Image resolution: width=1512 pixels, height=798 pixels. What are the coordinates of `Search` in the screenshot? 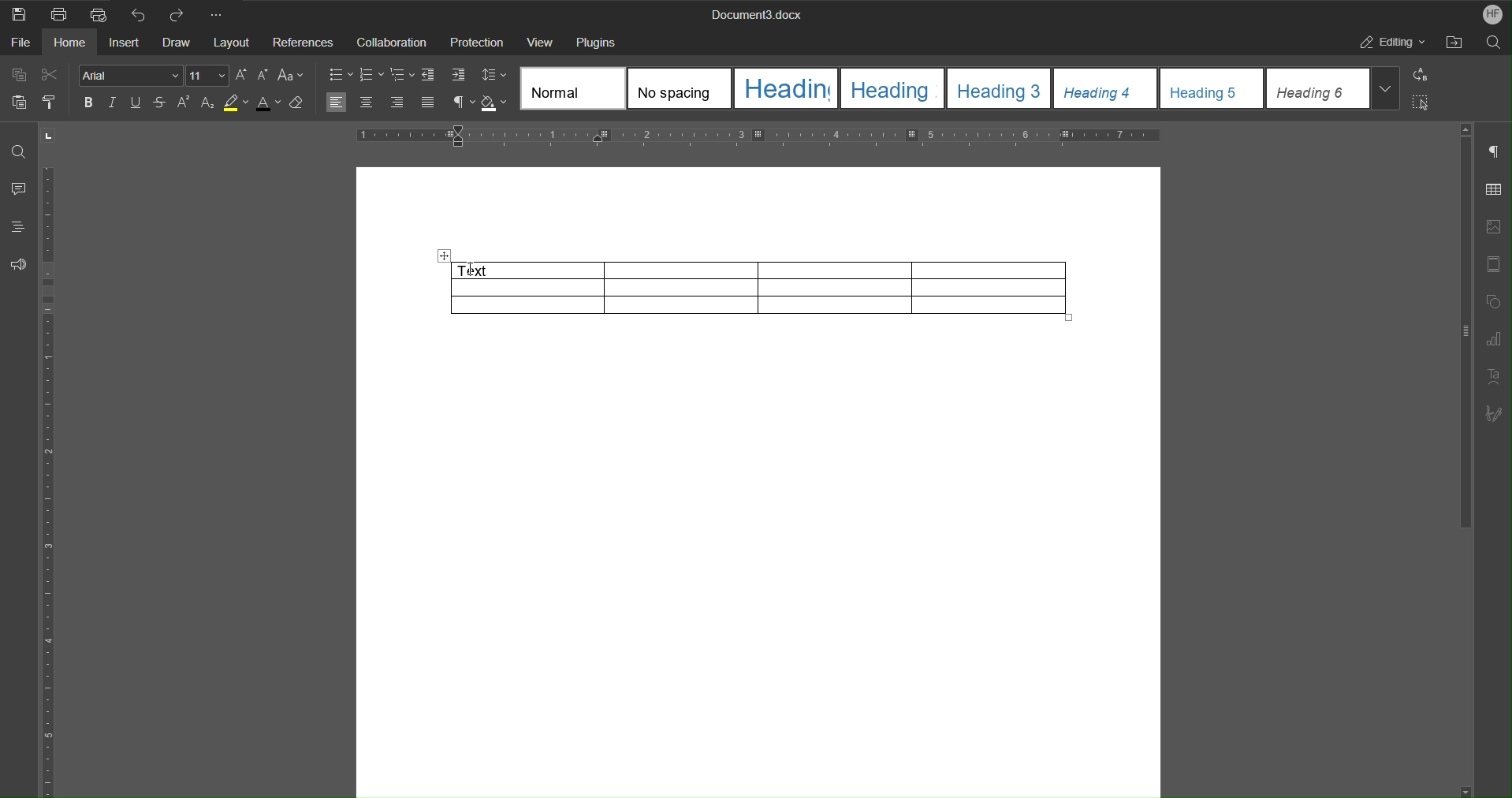 It's located at (1494, 43).